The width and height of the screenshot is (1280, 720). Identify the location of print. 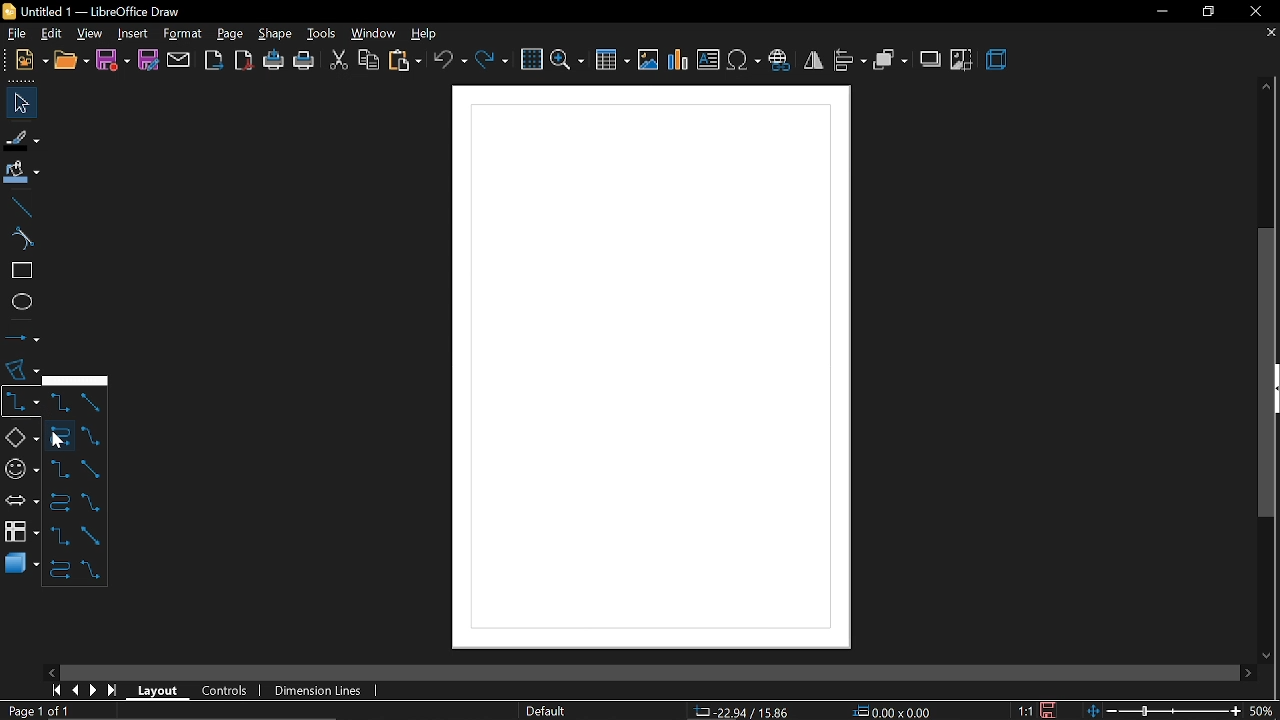
(304, 62).